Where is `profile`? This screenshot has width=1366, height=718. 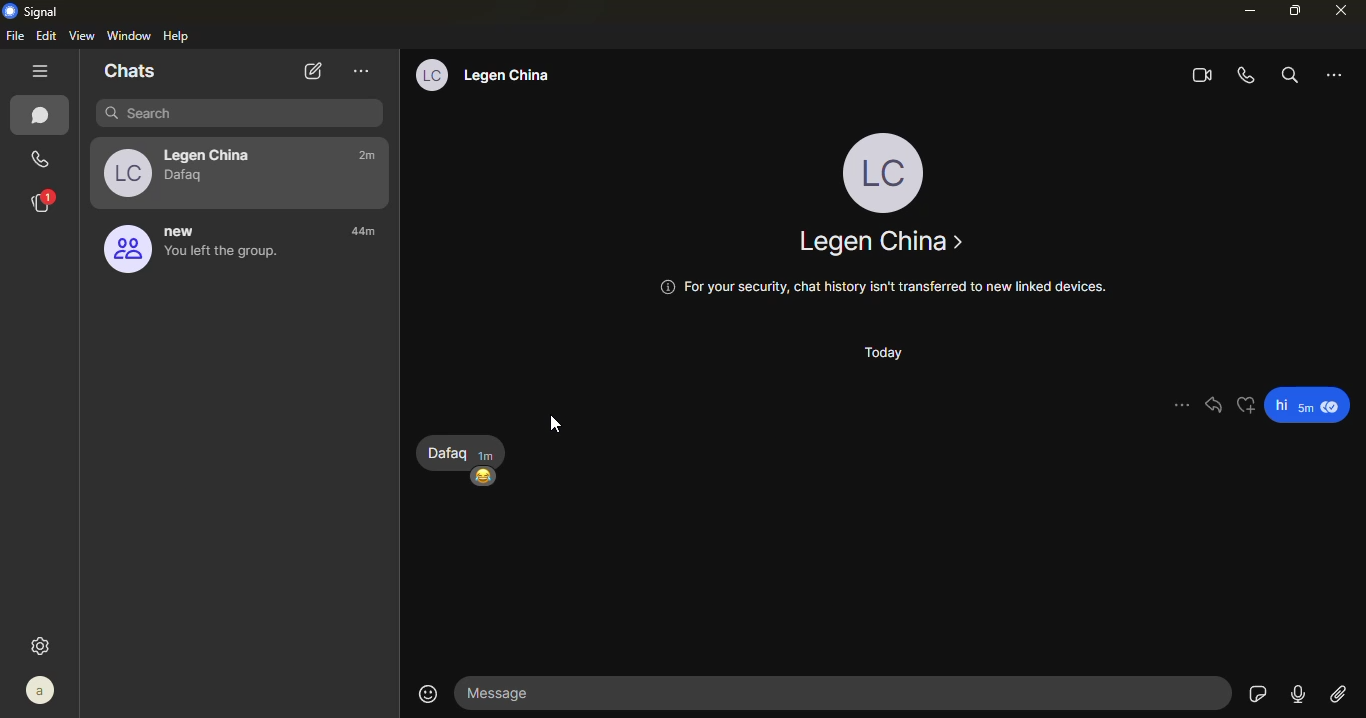
profile is located at coordinates (42, 690).